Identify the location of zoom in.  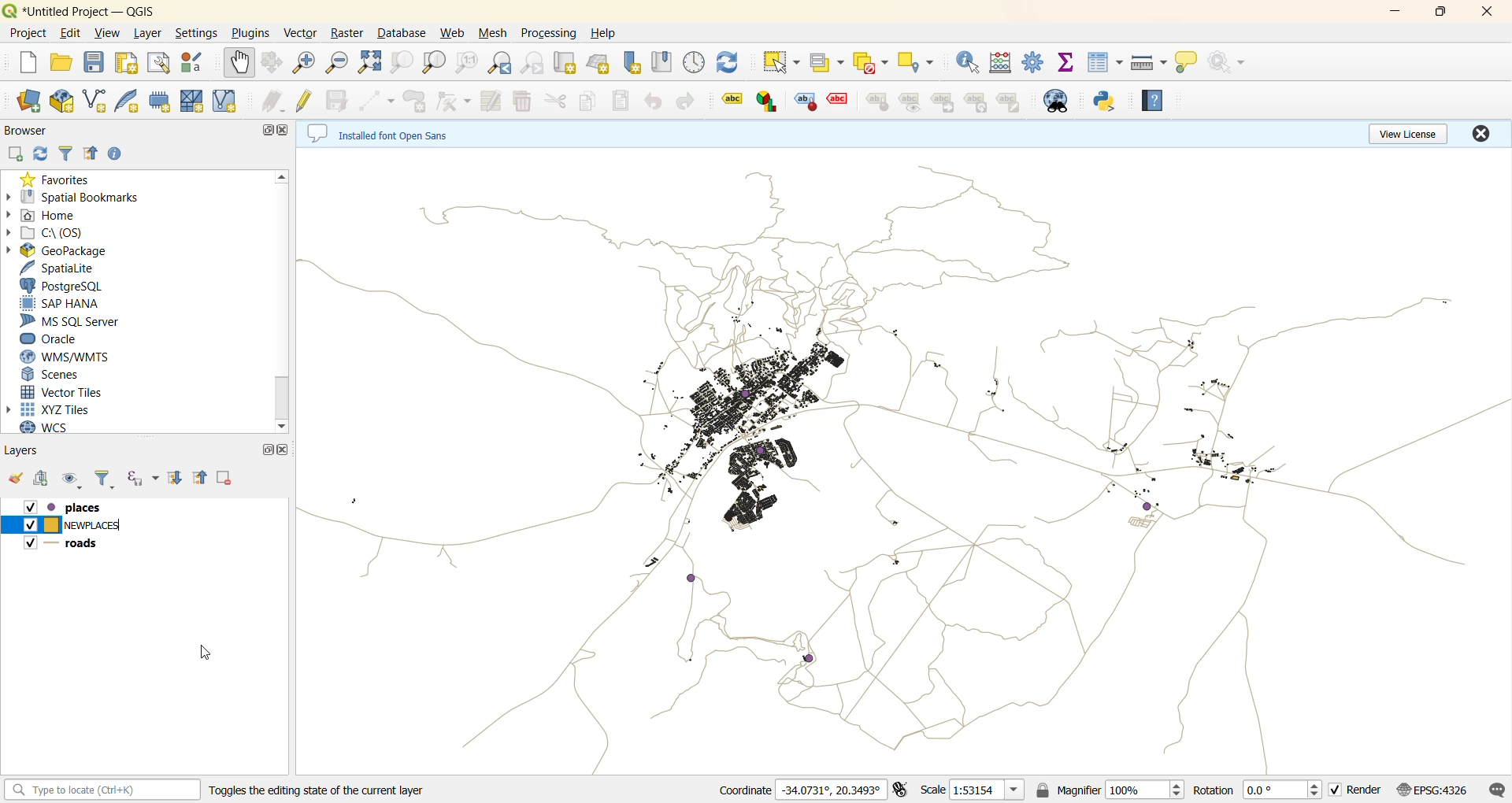
(308, 64).